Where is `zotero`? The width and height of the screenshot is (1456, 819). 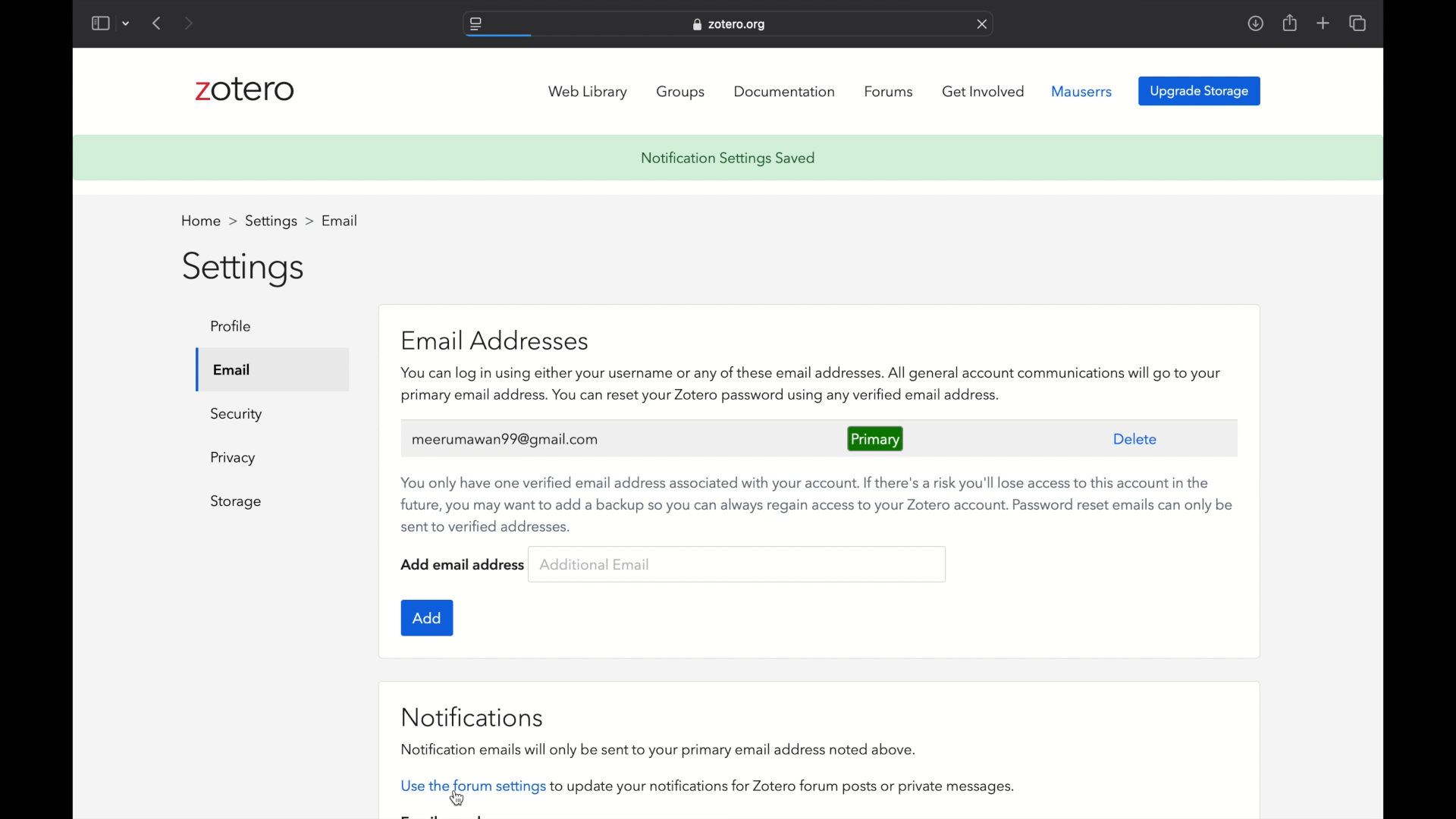 zotero is located at coordinates (246, 89).